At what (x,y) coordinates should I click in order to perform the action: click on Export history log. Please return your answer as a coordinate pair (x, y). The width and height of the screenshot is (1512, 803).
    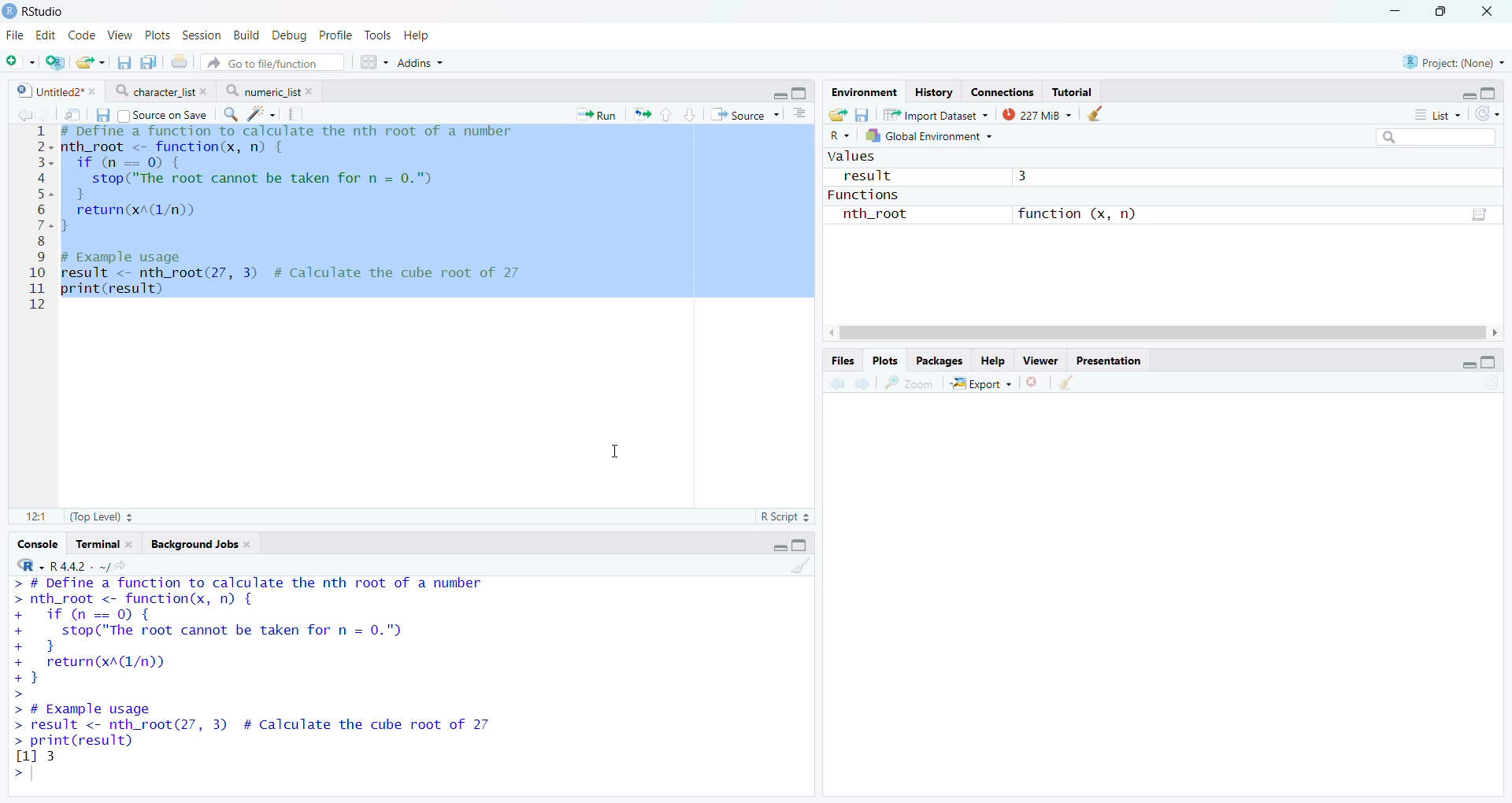
    Looking at the image, I should click on (839, 115).